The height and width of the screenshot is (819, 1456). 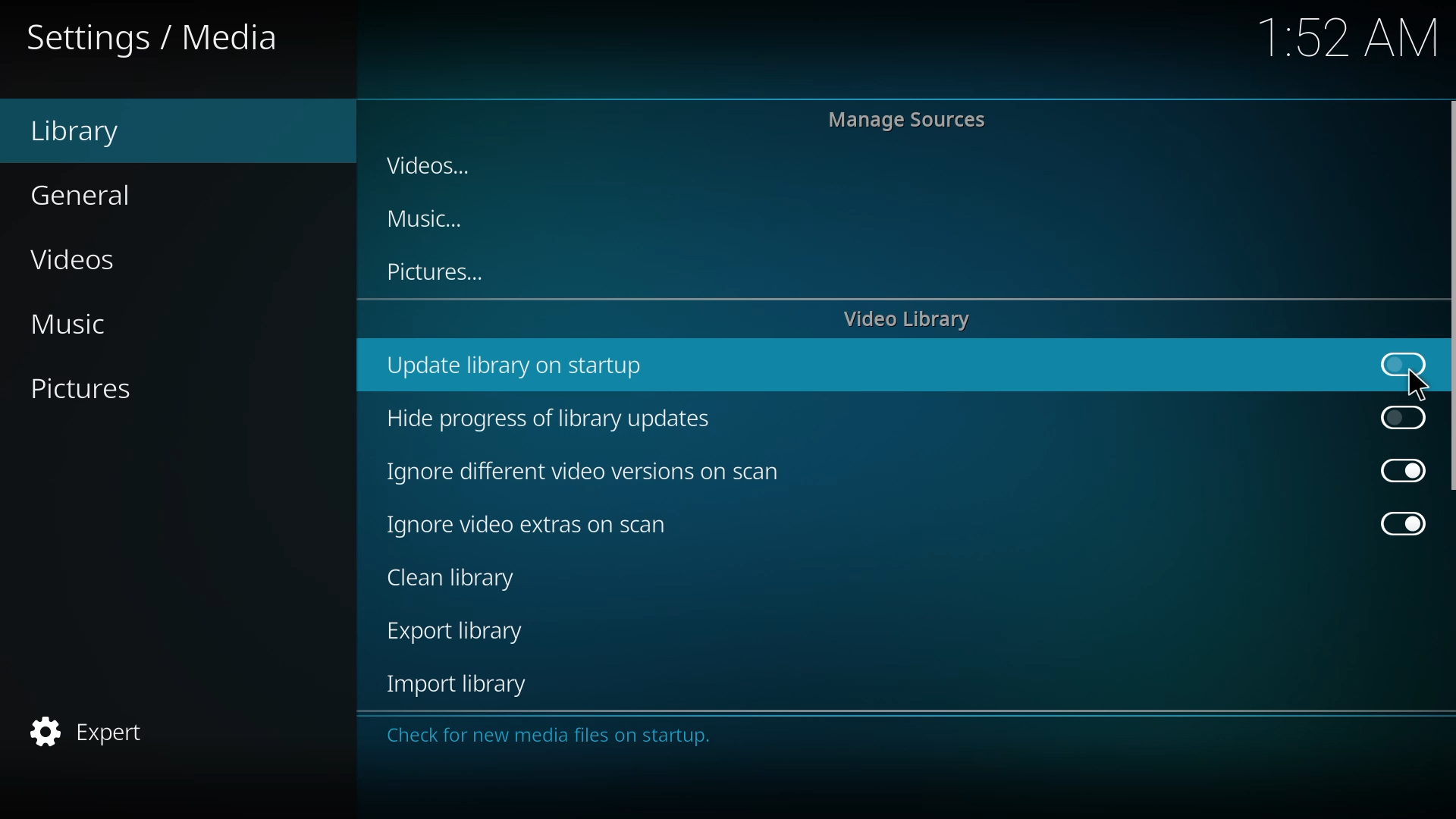 What do you see at coordinates (556, 736) in the screenshot?
I see `info` at bounding box center [556, 736].